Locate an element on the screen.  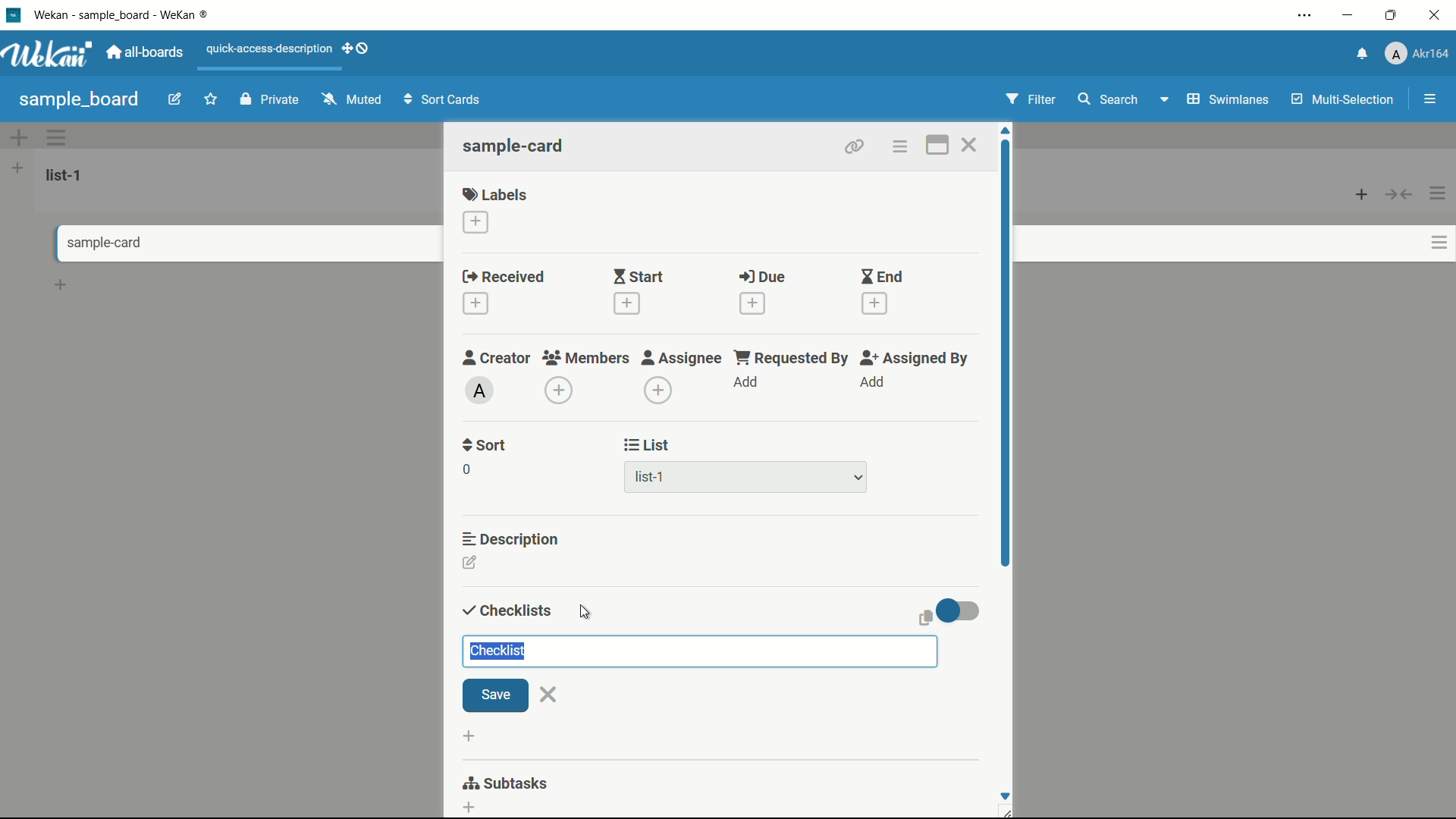
subtasks is located at coordinates (504, 783).